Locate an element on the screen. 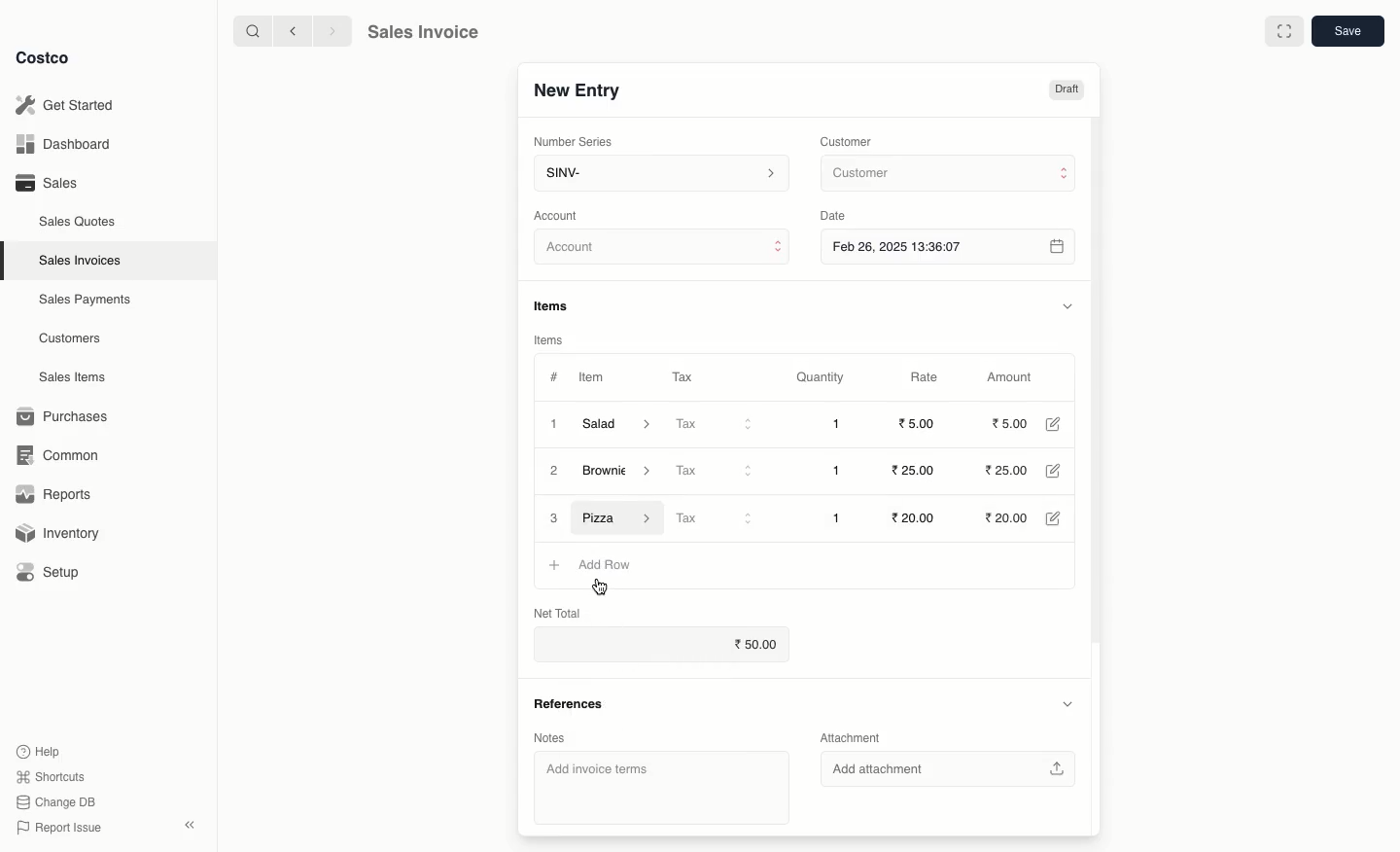 This screenshot has width=1400, height=852. Tax is located at coordinates (682, 373).